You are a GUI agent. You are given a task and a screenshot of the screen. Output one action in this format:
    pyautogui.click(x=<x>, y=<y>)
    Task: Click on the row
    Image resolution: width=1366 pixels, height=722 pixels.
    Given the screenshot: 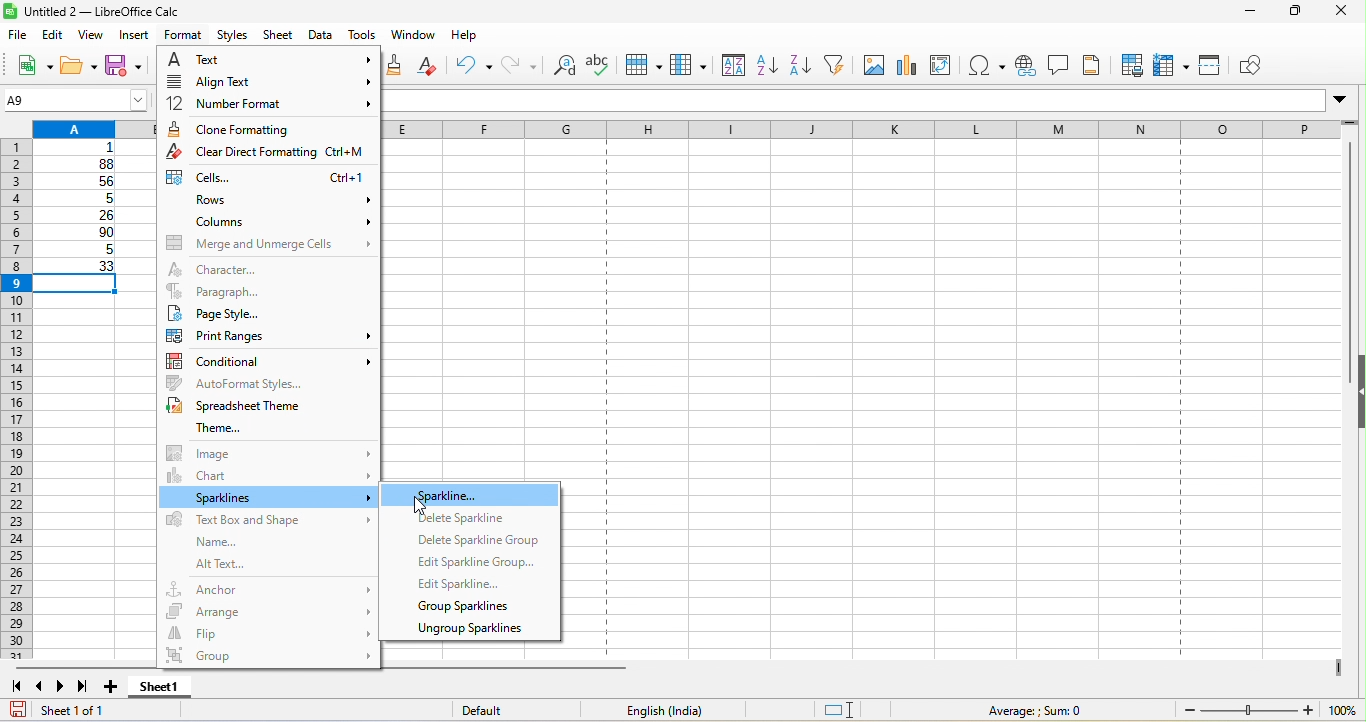 What is the action you would take?
    pyautogui.click(x=641, y=67)
    